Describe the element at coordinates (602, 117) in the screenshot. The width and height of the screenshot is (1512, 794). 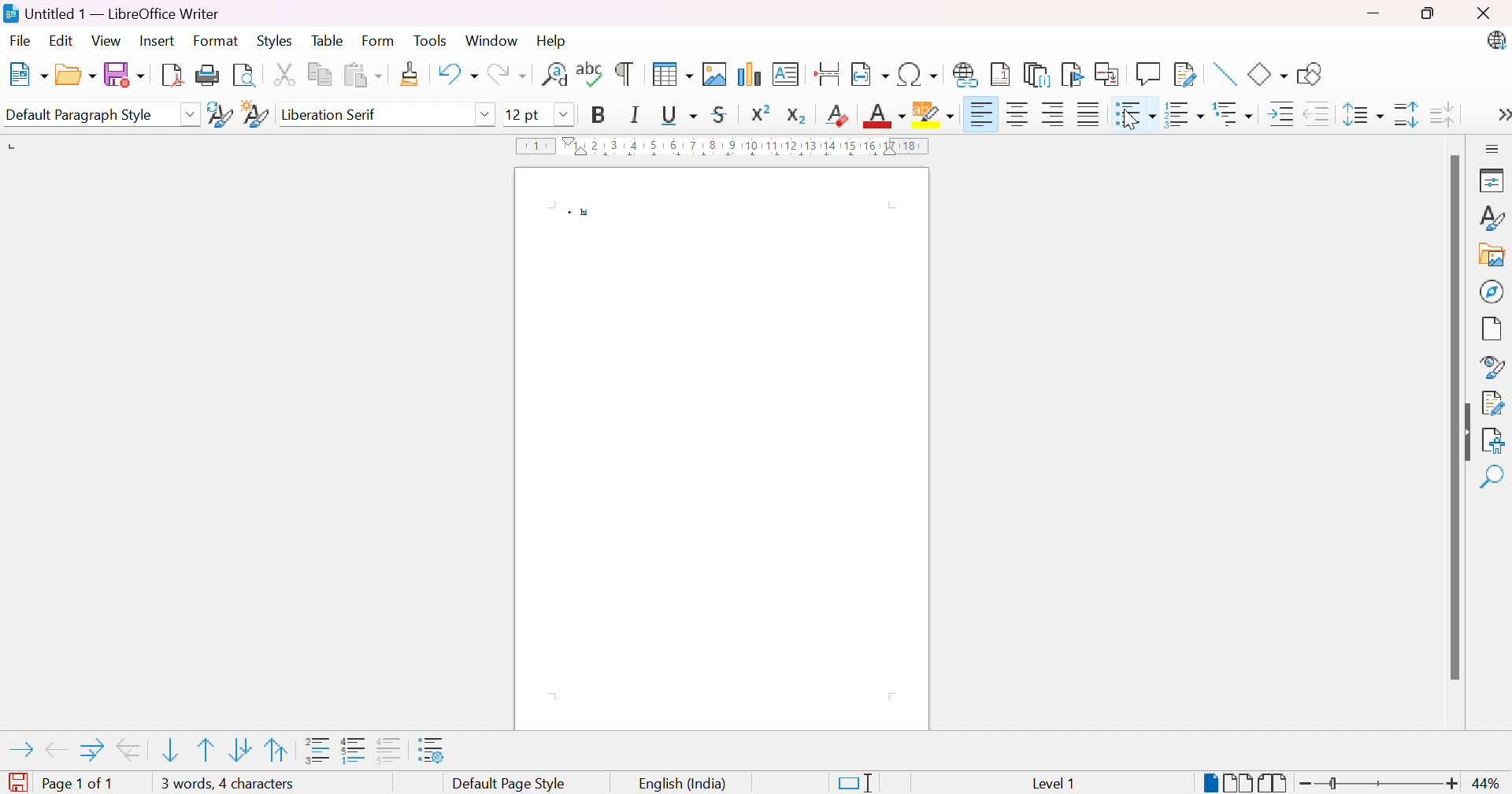
I see `Bold` at that location.